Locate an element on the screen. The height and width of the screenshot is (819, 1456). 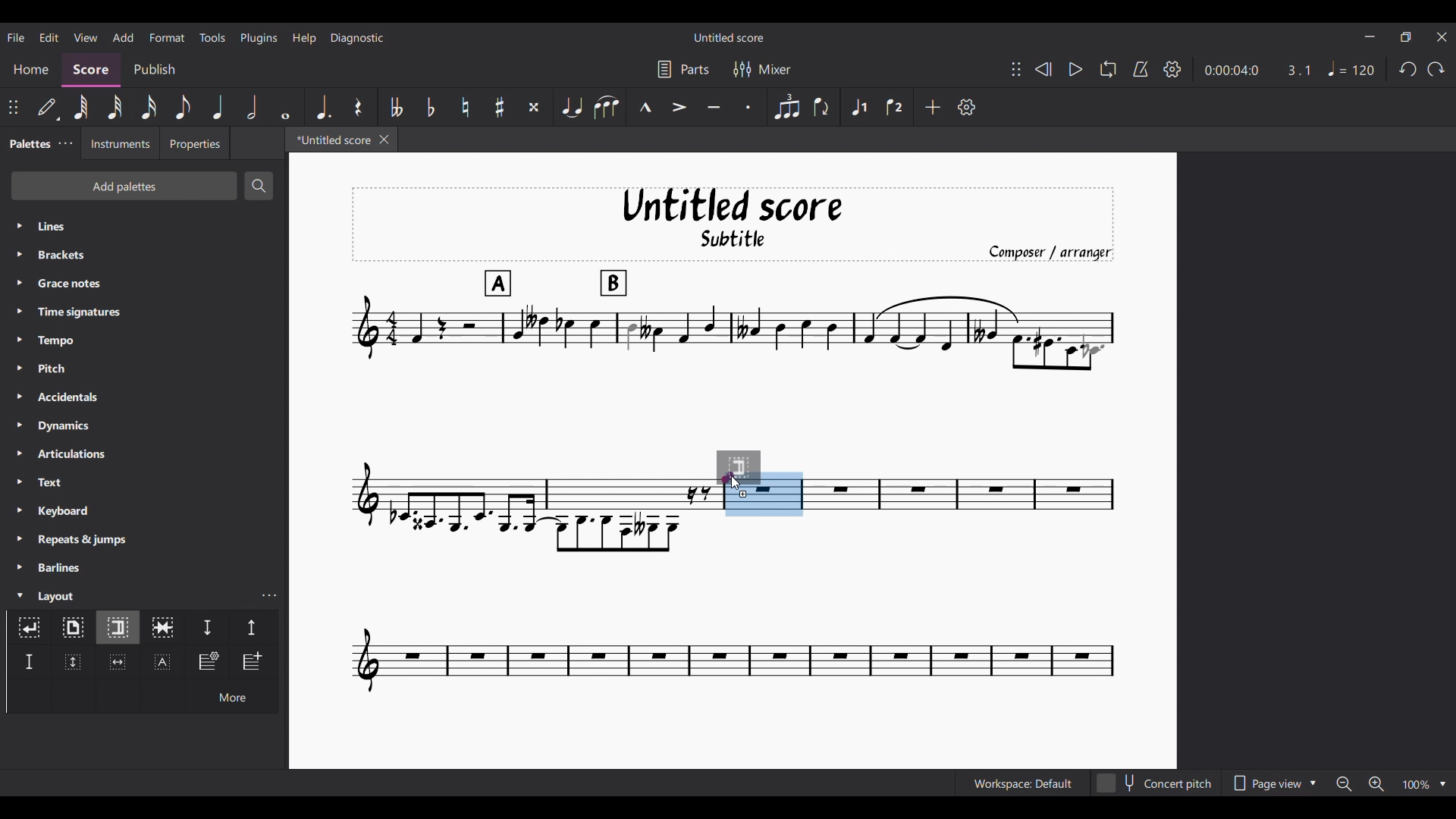
*Untitled score, current tab is located at coordinates (331, 139).